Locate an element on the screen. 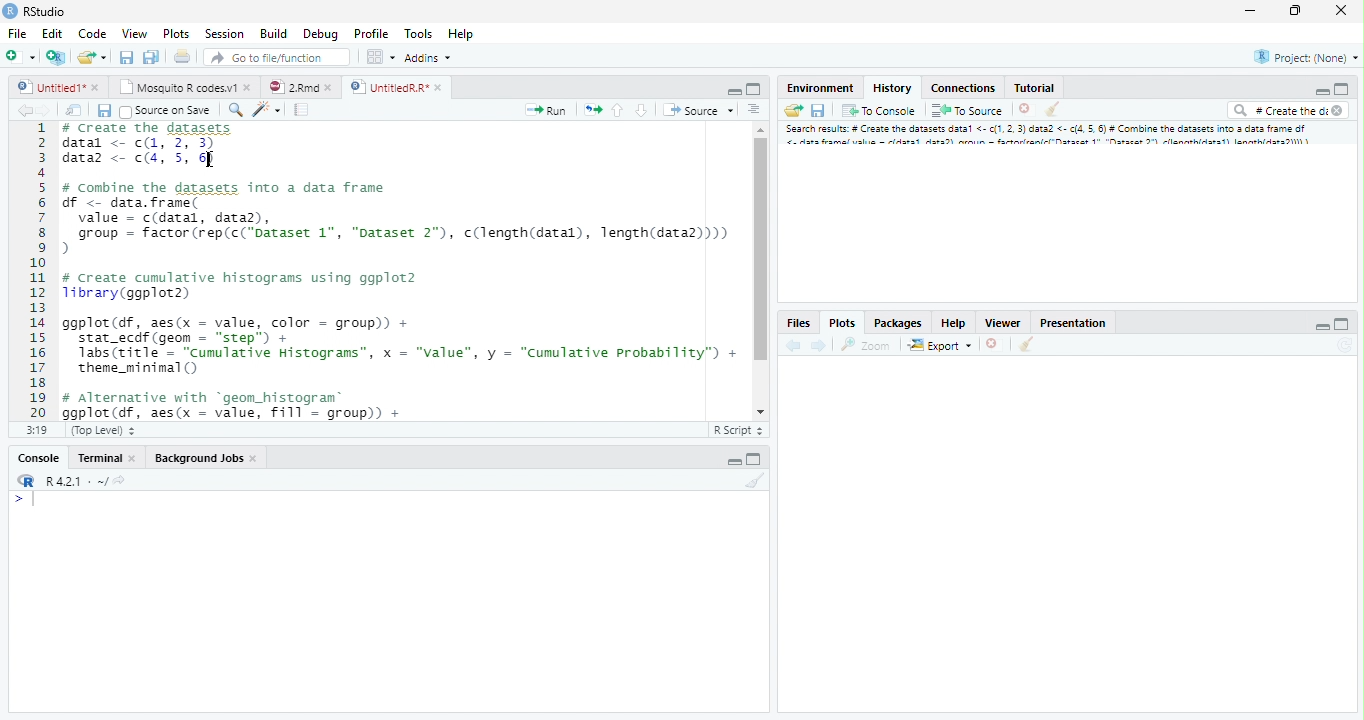 The height and width of the screenshot is (720, 1364). Plots is located at coordinates (176, 35).